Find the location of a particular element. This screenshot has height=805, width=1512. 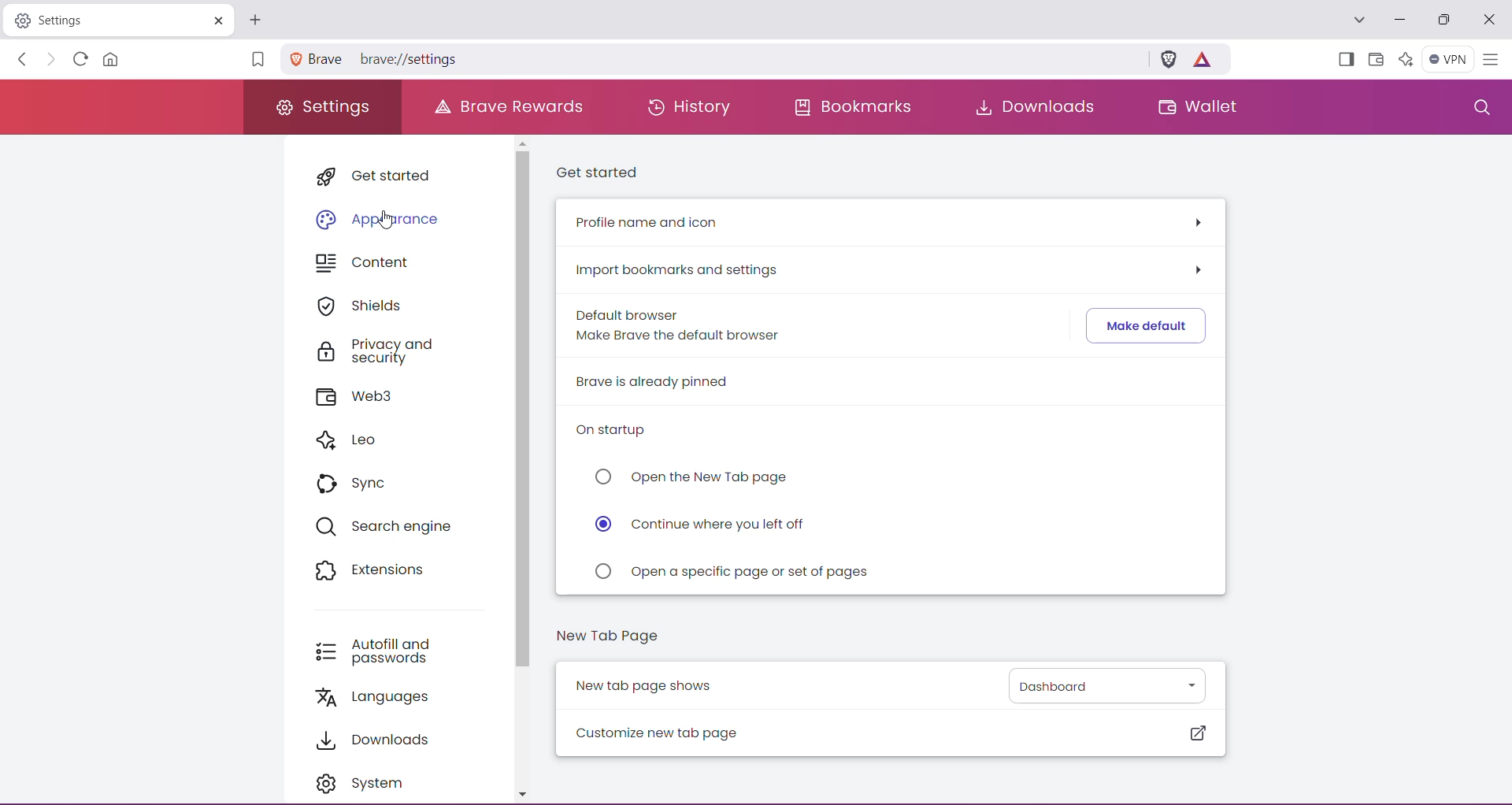

Click to open New Tab is located at coordinates (255, 20).